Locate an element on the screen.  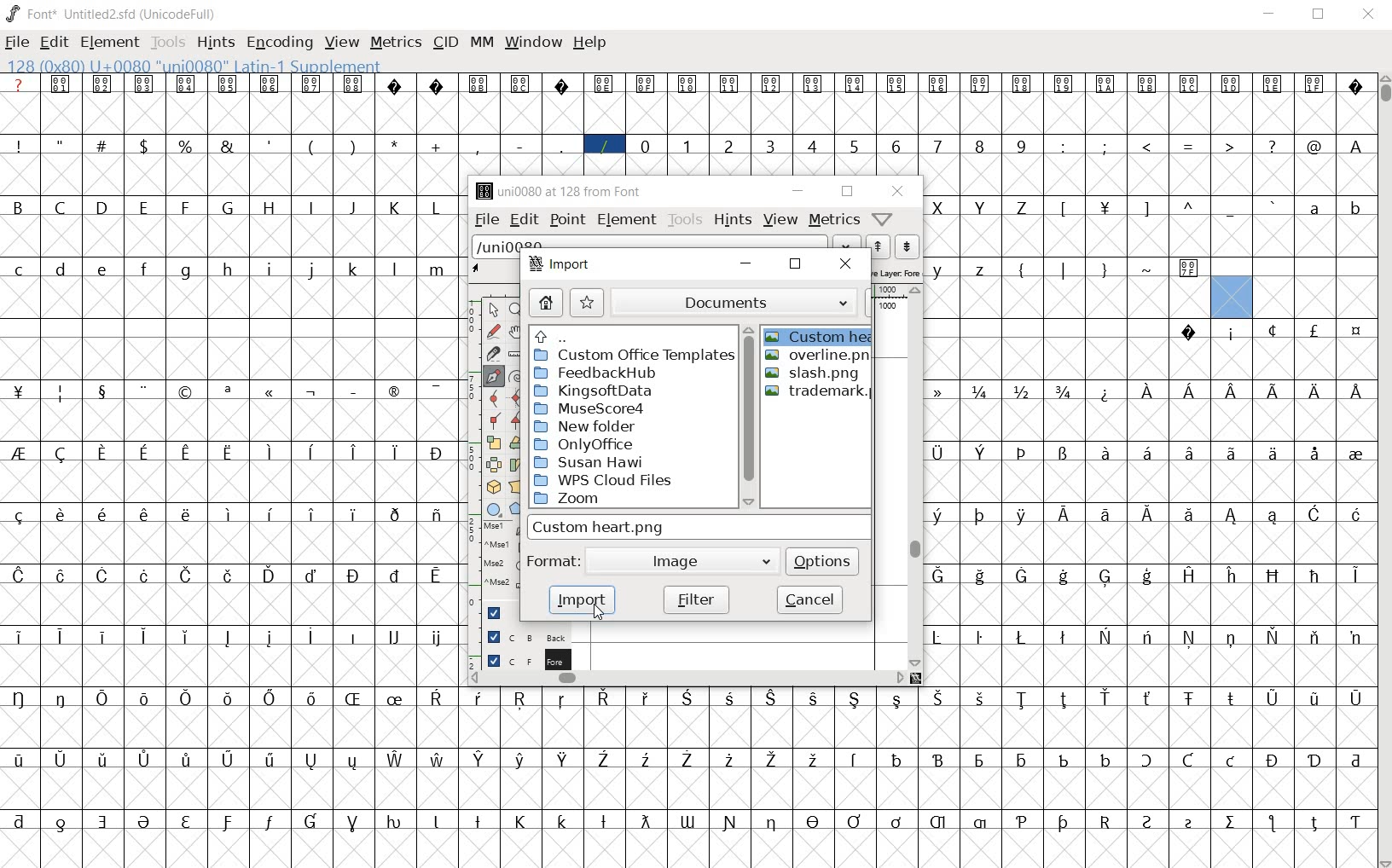
glyph is located at coordinates (1314, 576).